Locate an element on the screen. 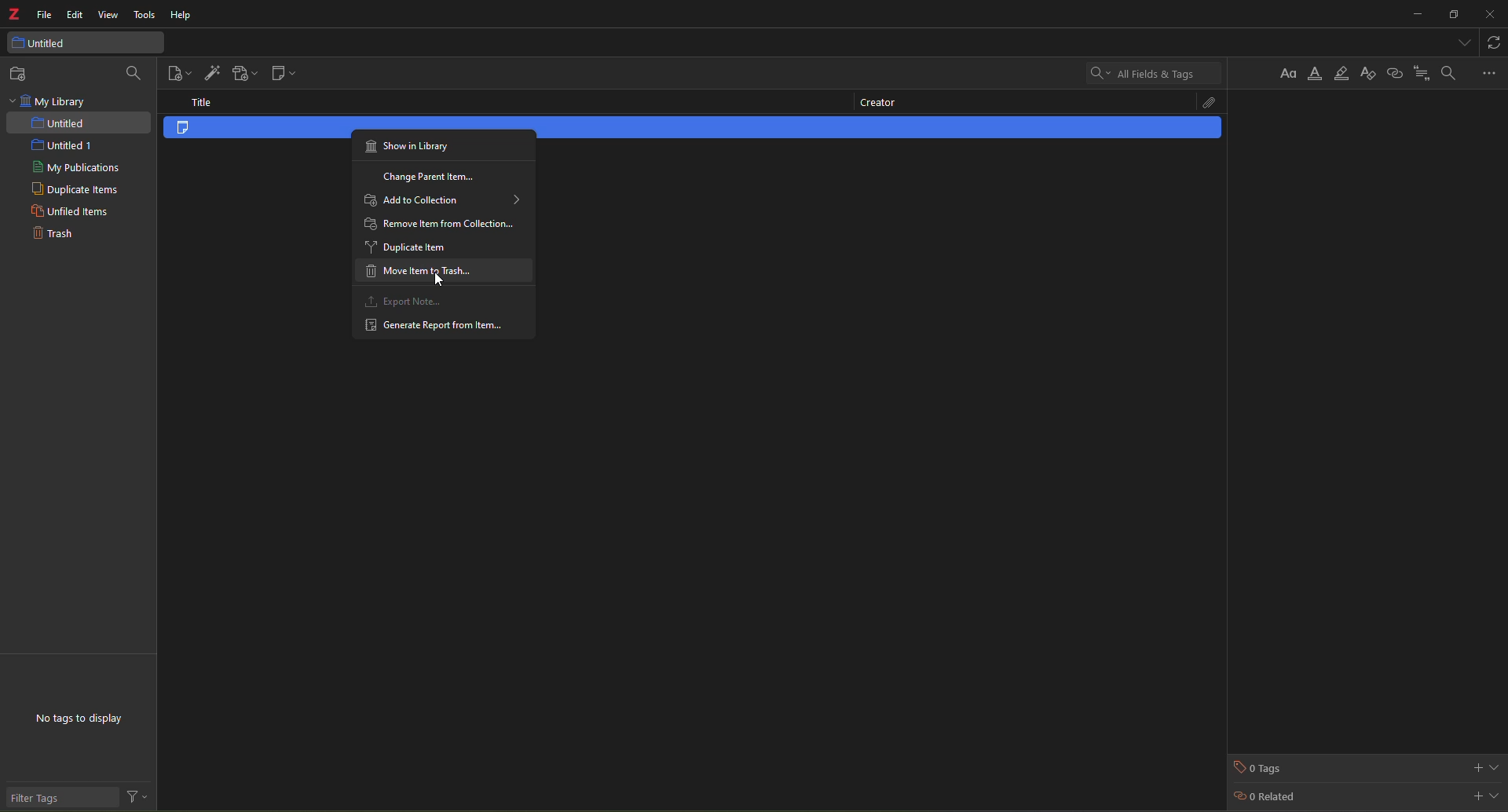  remove item is located at coordinates (441, 224).